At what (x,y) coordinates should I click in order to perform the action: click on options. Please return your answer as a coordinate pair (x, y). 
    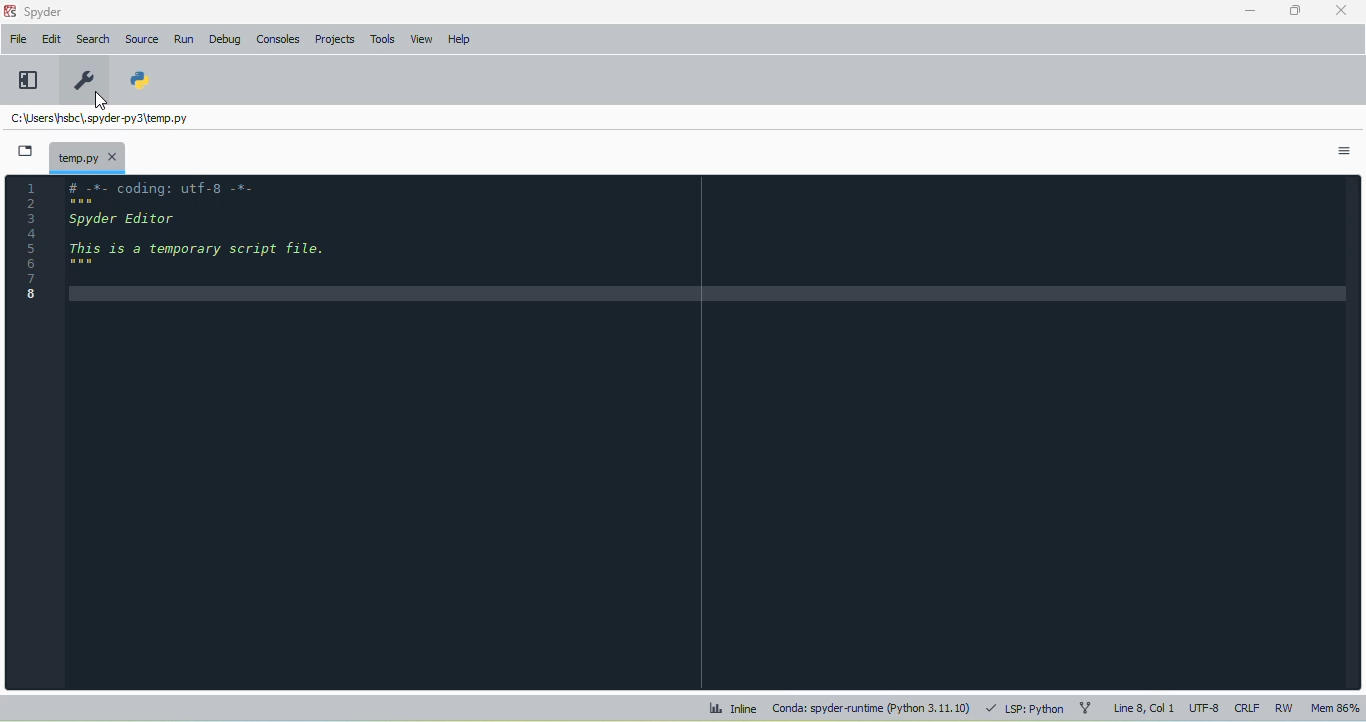
    Looking at the image, I should click on (1344, 151).